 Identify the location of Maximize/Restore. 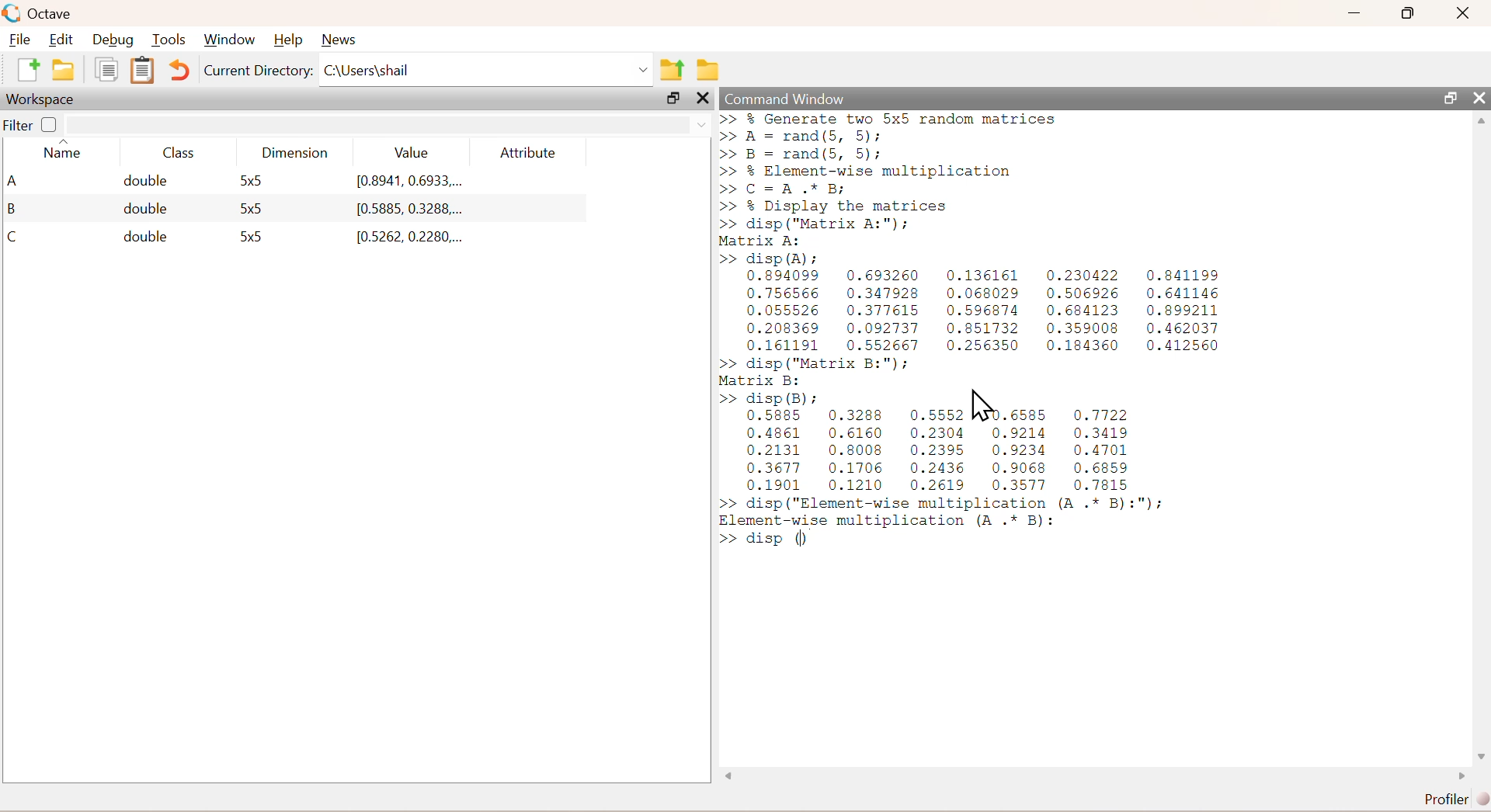
(1448, 96).